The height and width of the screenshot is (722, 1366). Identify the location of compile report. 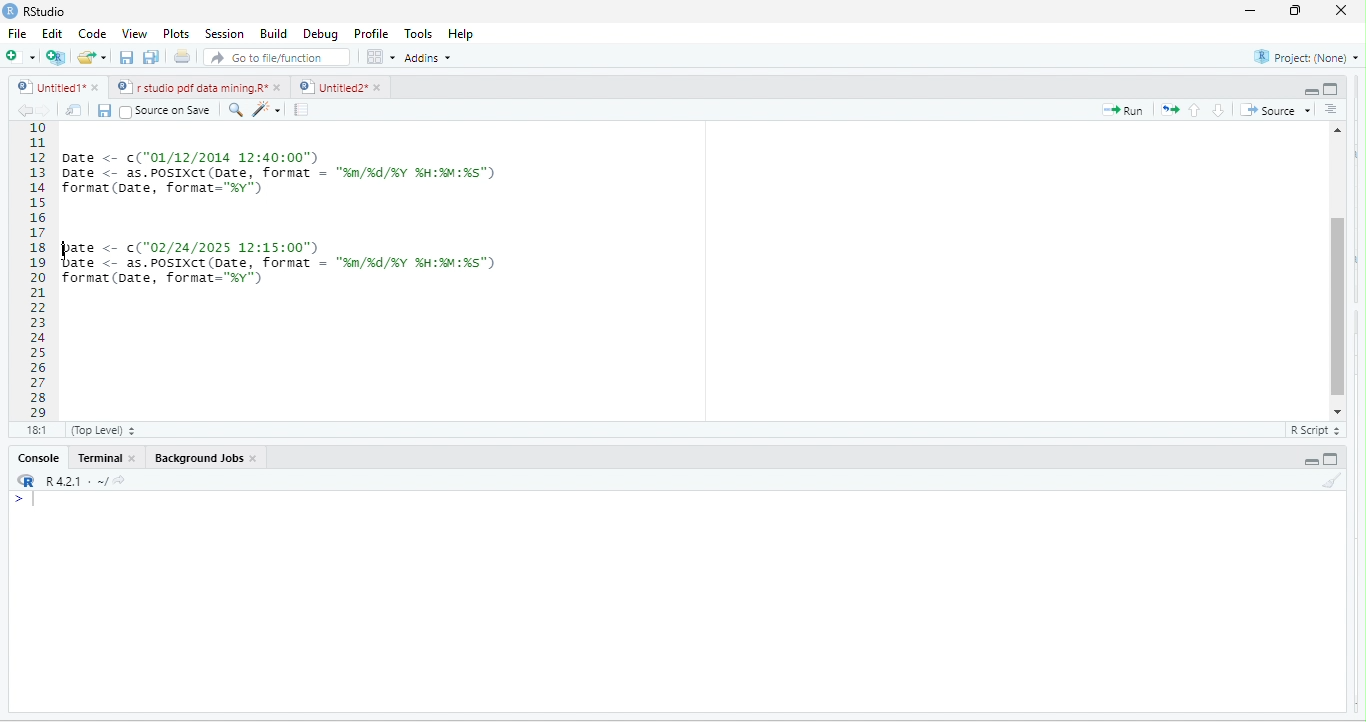
(304, 109).